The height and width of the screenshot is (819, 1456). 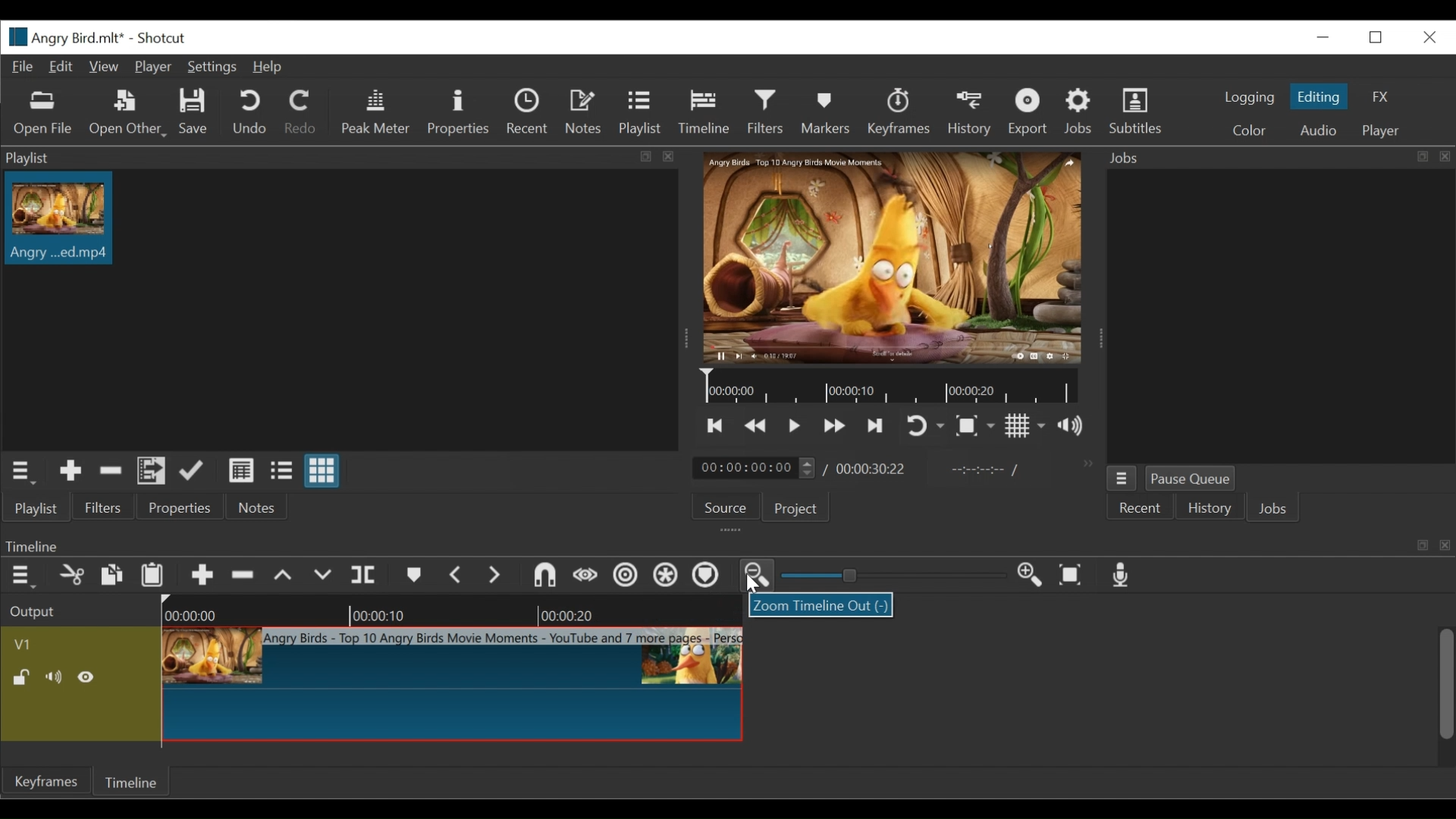 I want to click on Output, so click(x=35, y=610).